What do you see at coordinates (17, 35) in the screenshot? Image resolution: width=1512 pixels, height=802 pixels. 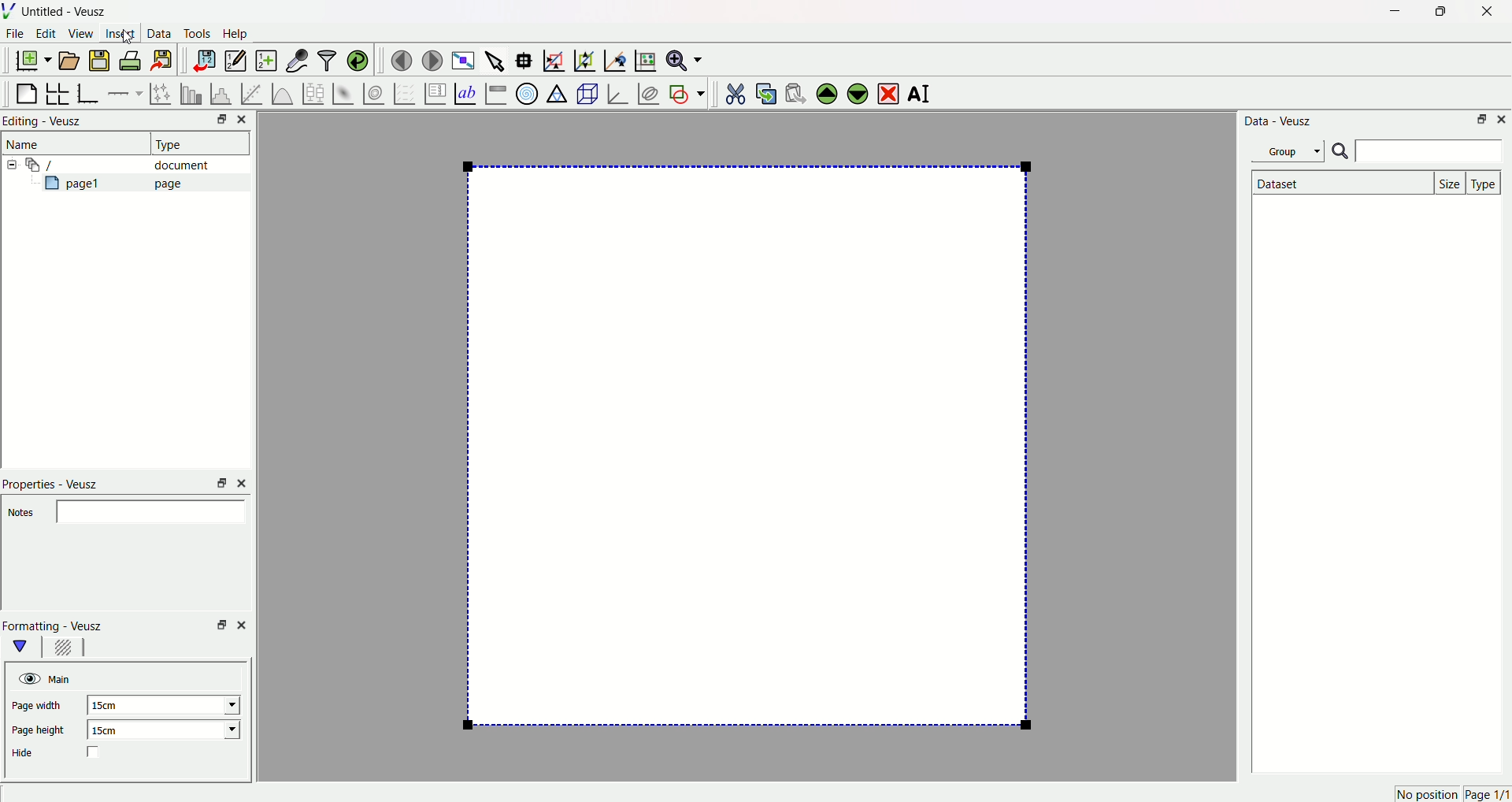 I see `File` at bounding box center [17, 35].